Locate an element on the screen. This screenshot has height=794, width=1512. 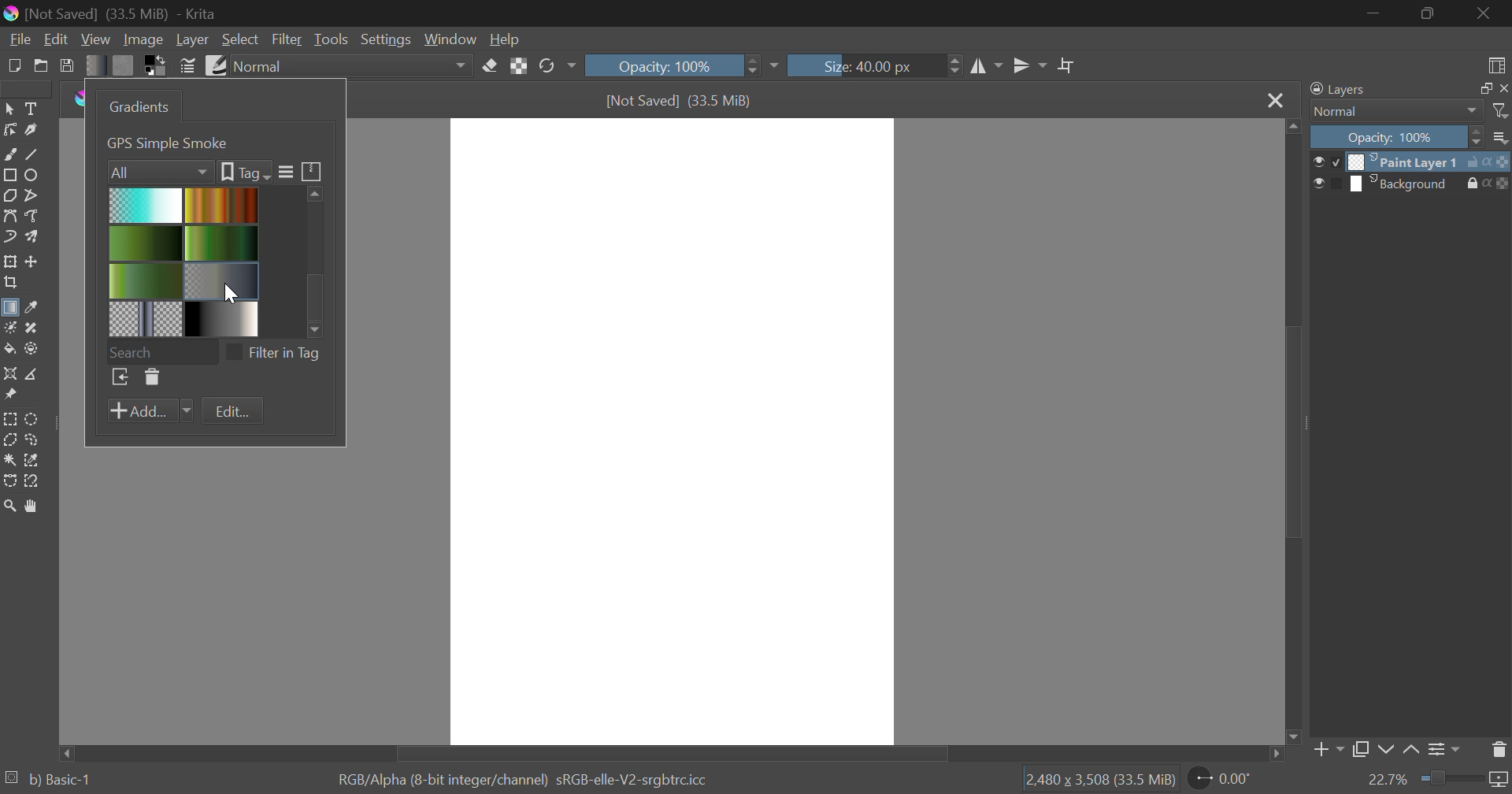
Enclose and Fill is located at coordinates (30, 349).